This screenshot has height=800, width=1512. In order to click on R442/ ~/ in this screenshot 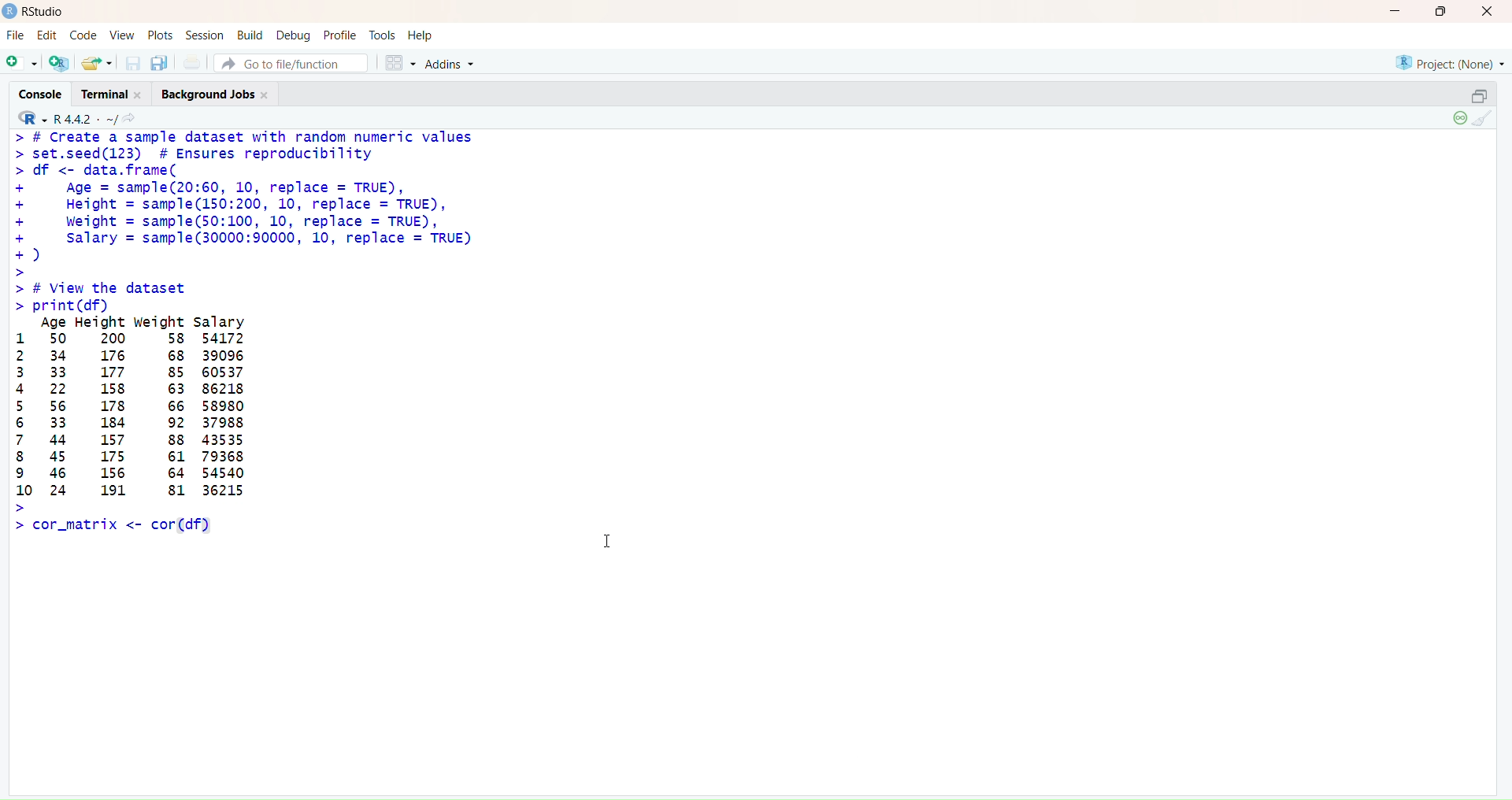, I will do `click(87, 117)`.